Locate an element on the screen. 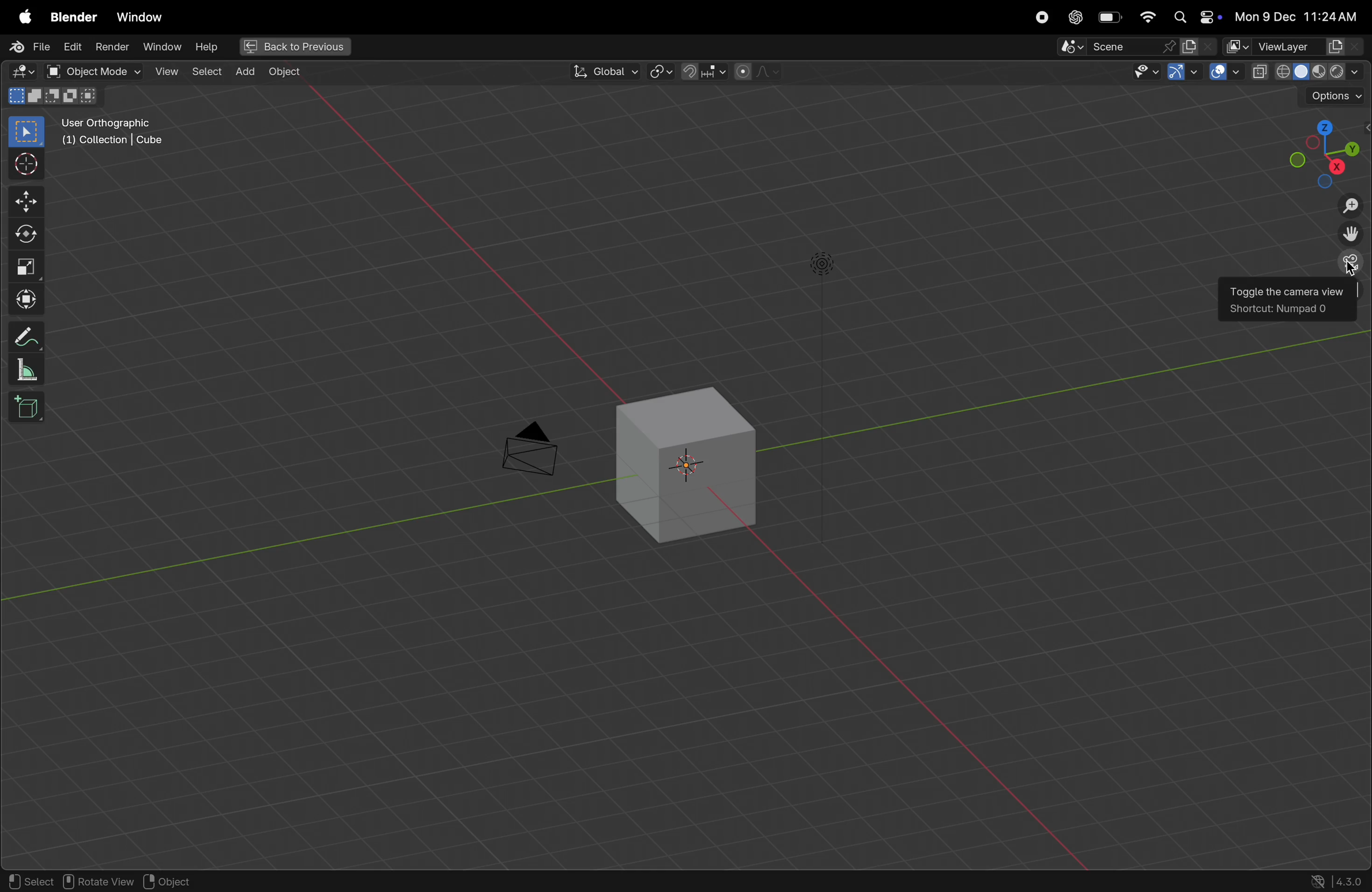 This screenshot has width=1372, height=892. options is located at coordinates (1331, 97).